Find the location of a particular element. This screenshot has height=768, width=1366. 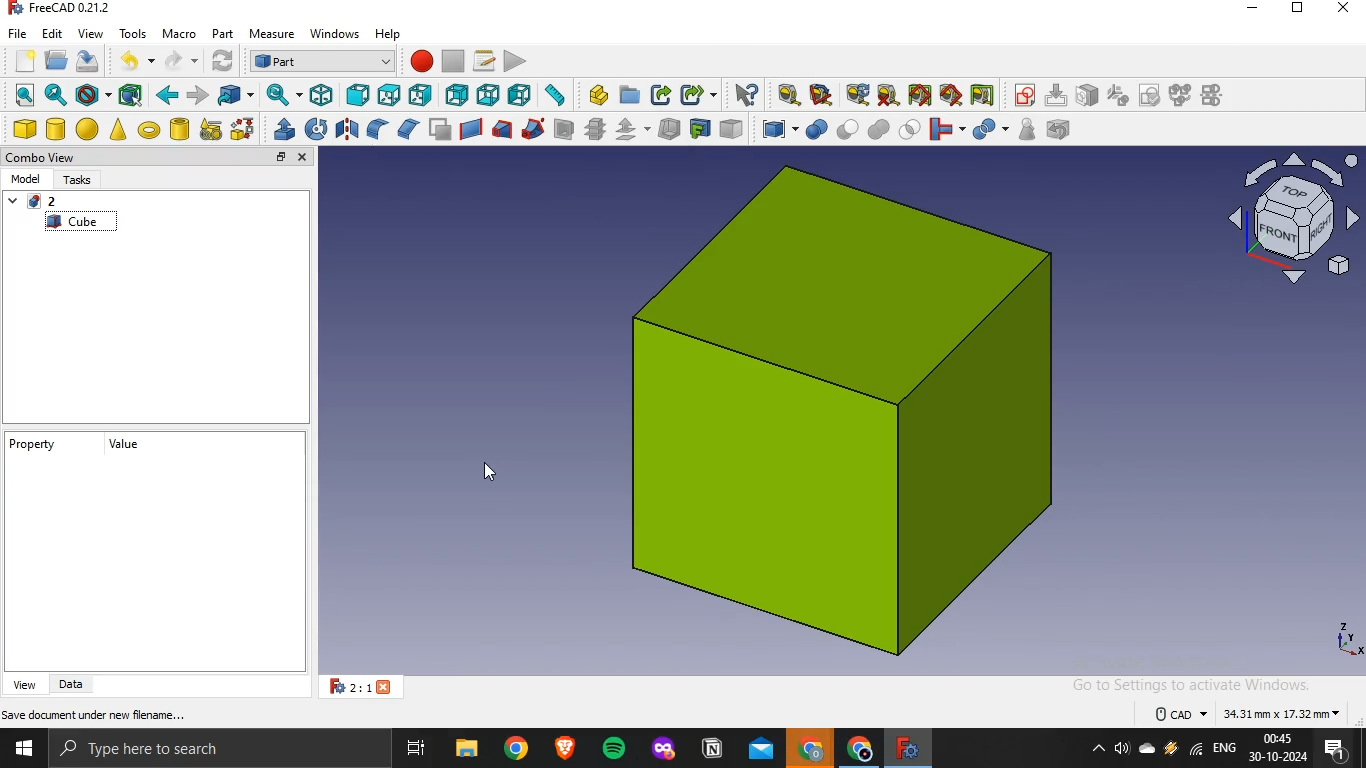

value is located at coordinates (122, 444).